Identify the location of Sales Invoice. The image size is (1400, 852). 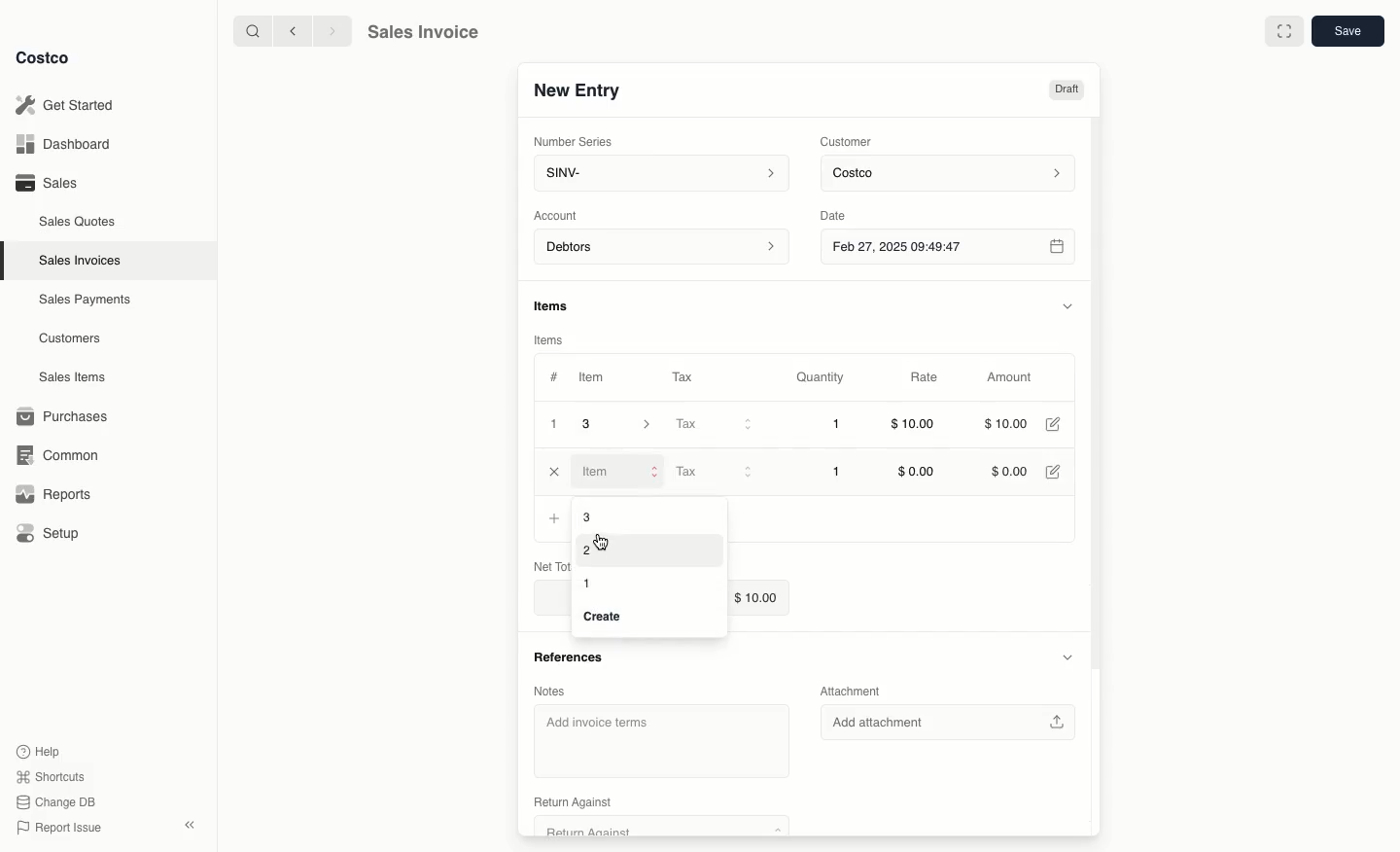
(422, 32).